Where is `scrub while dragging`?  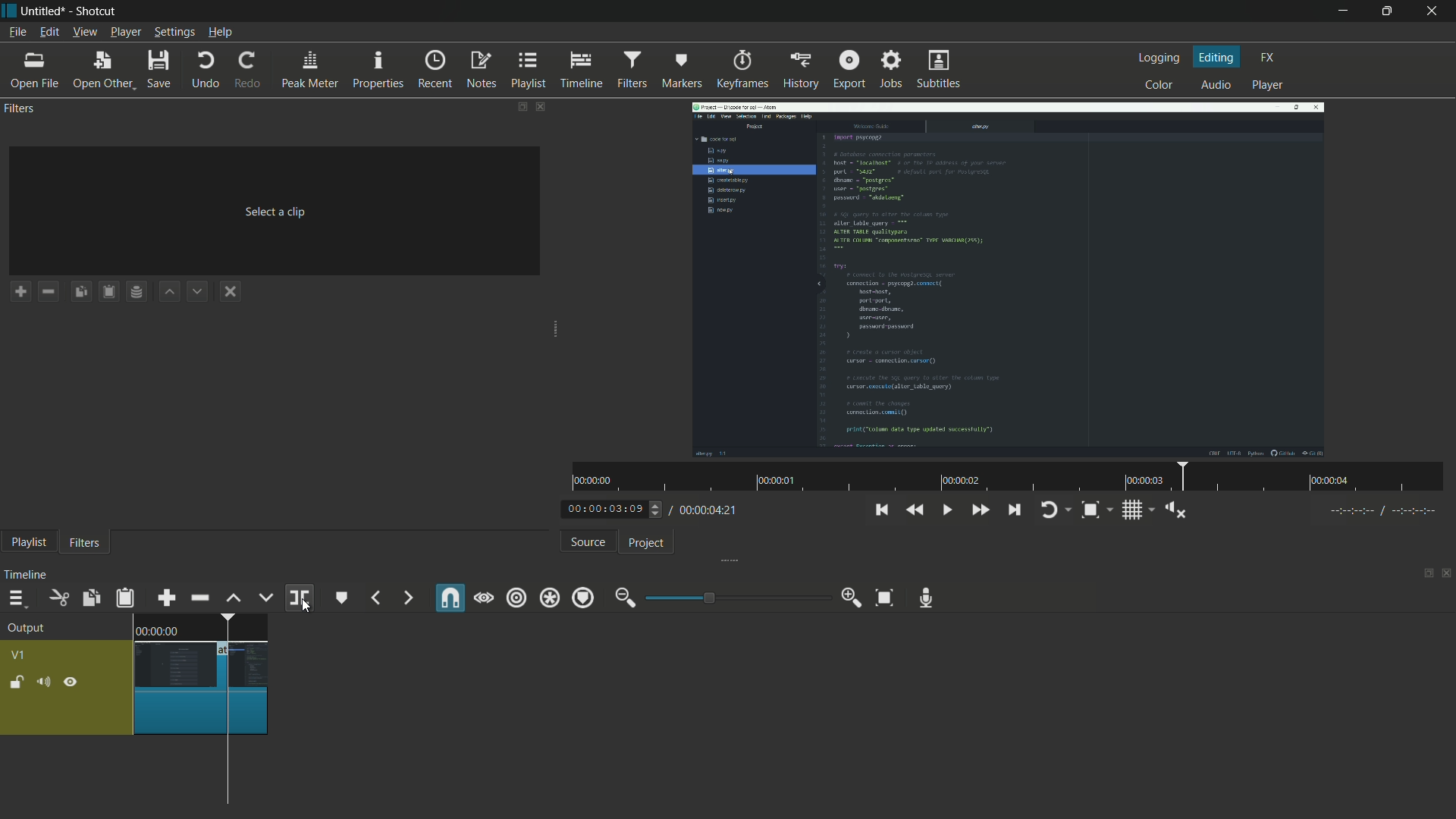
scrub while dragging is located at coordinates (483, 598).